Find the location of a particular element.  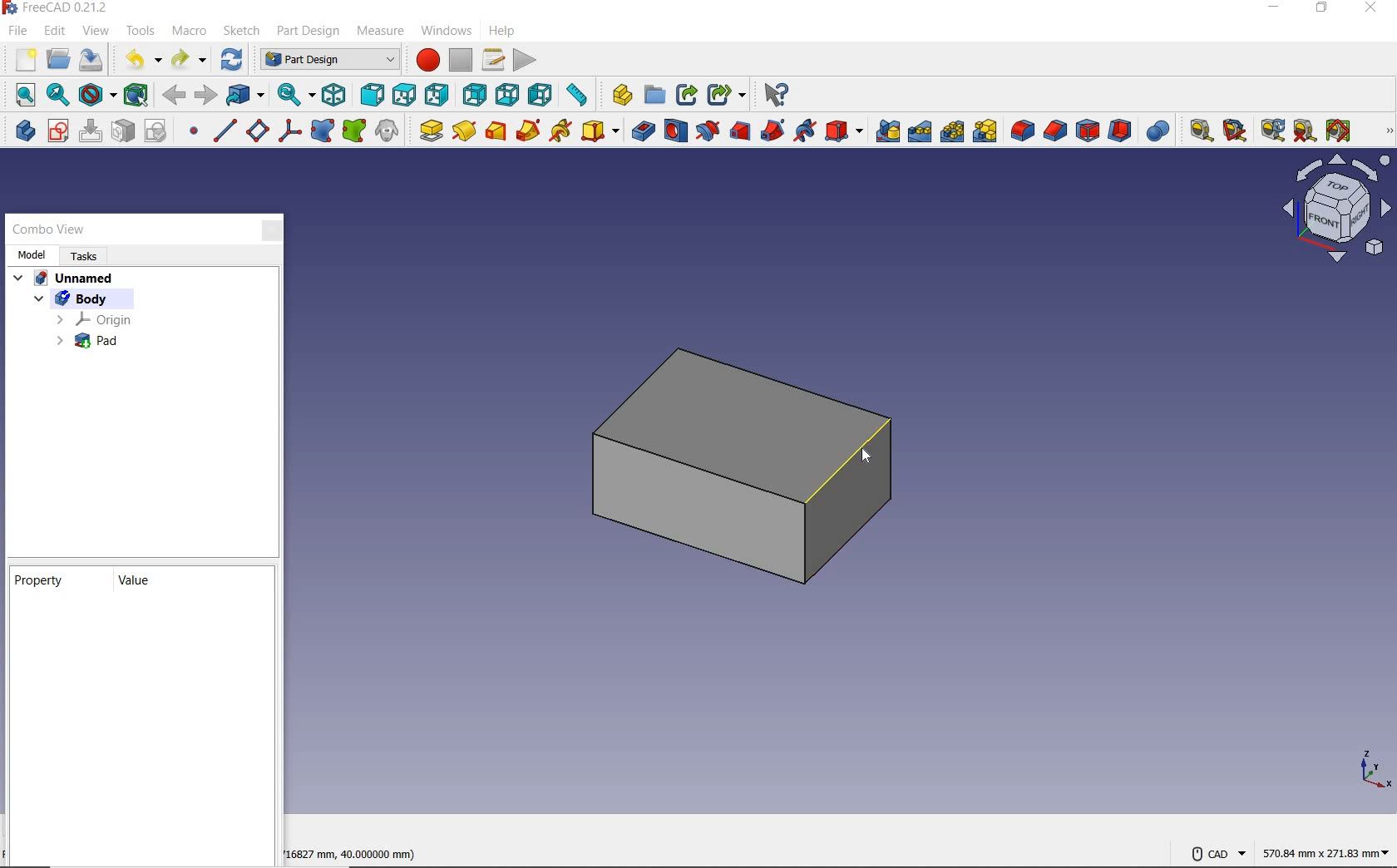

Part Design is located at coordinates (327, 60).